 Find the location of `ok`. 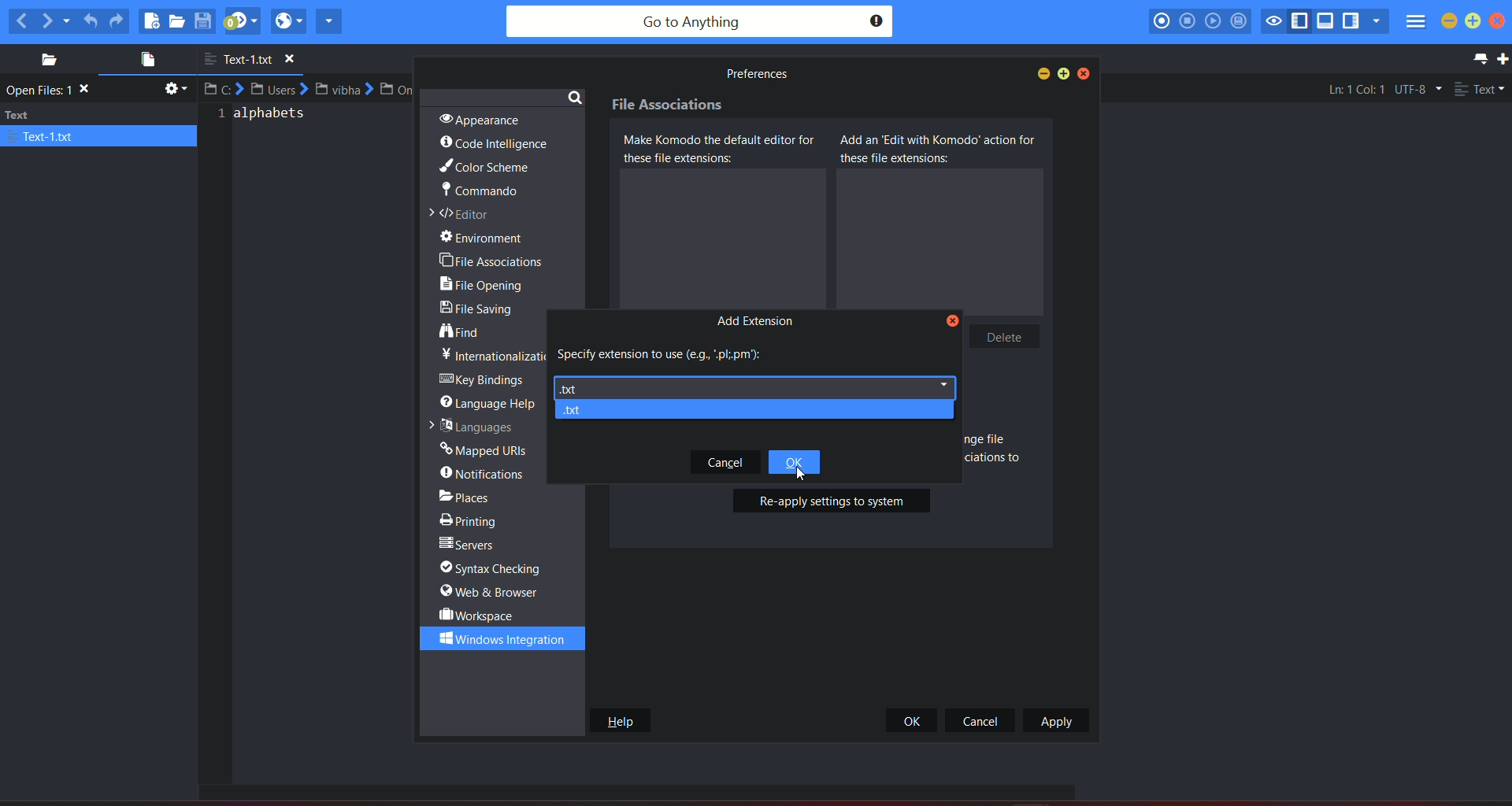

ok is located at coordinates (798, 463).